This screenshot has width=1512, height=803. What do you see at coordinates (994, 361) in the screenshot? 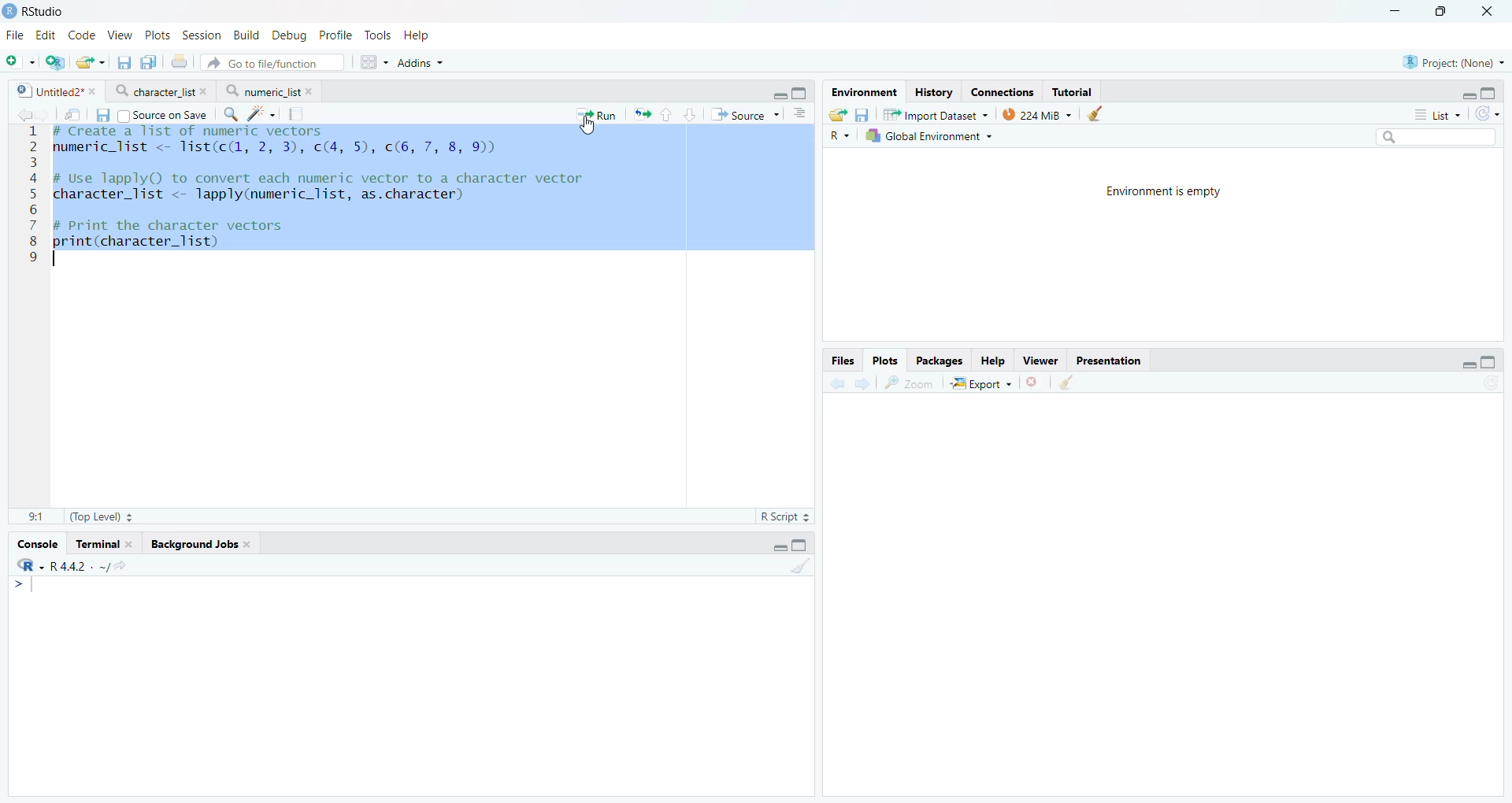
I see `Help` at bounding box center [994, 361].